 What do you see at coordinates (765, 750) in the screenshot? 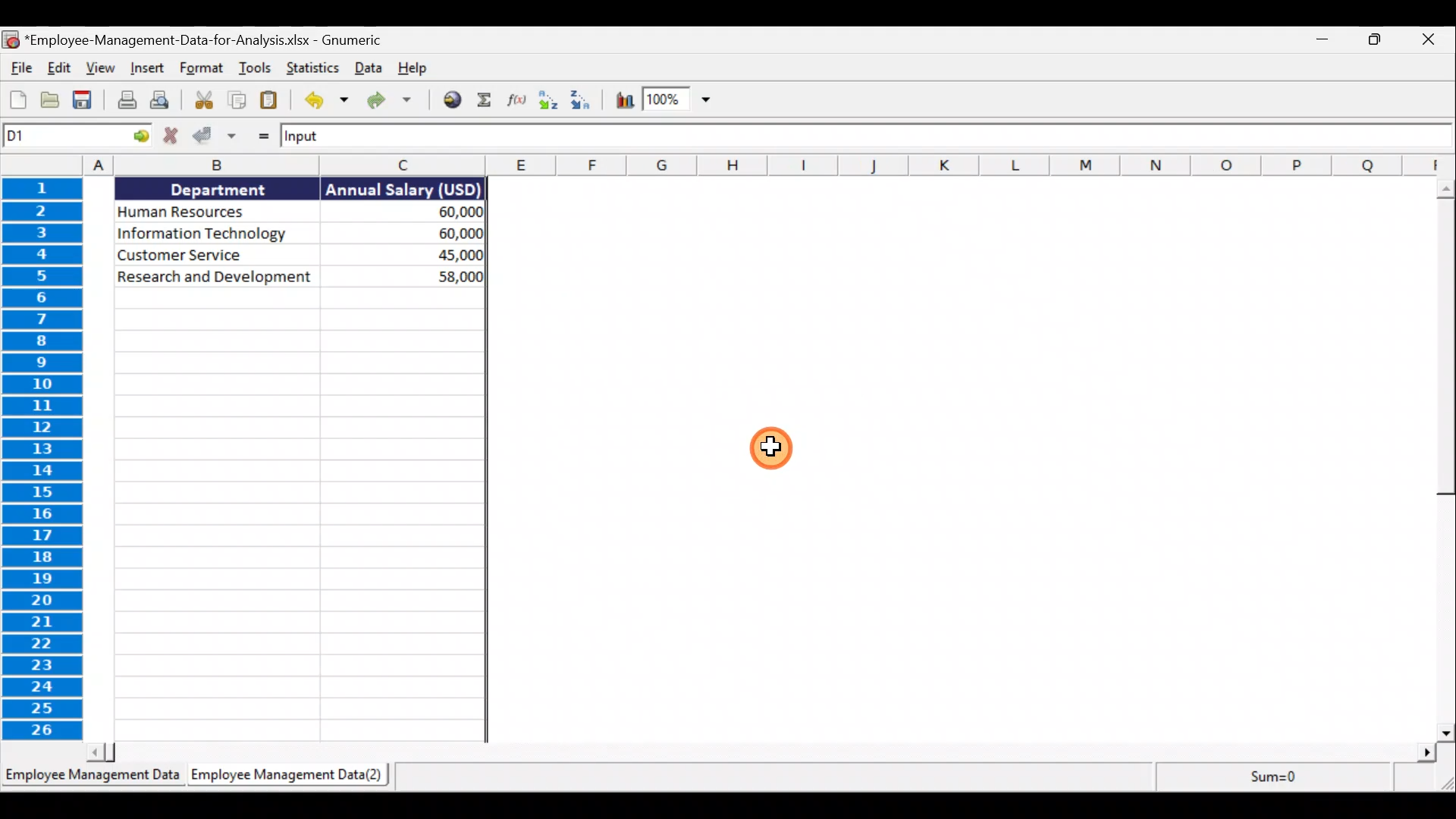
I see `Scroll bar` at bounding box center [765, 750].